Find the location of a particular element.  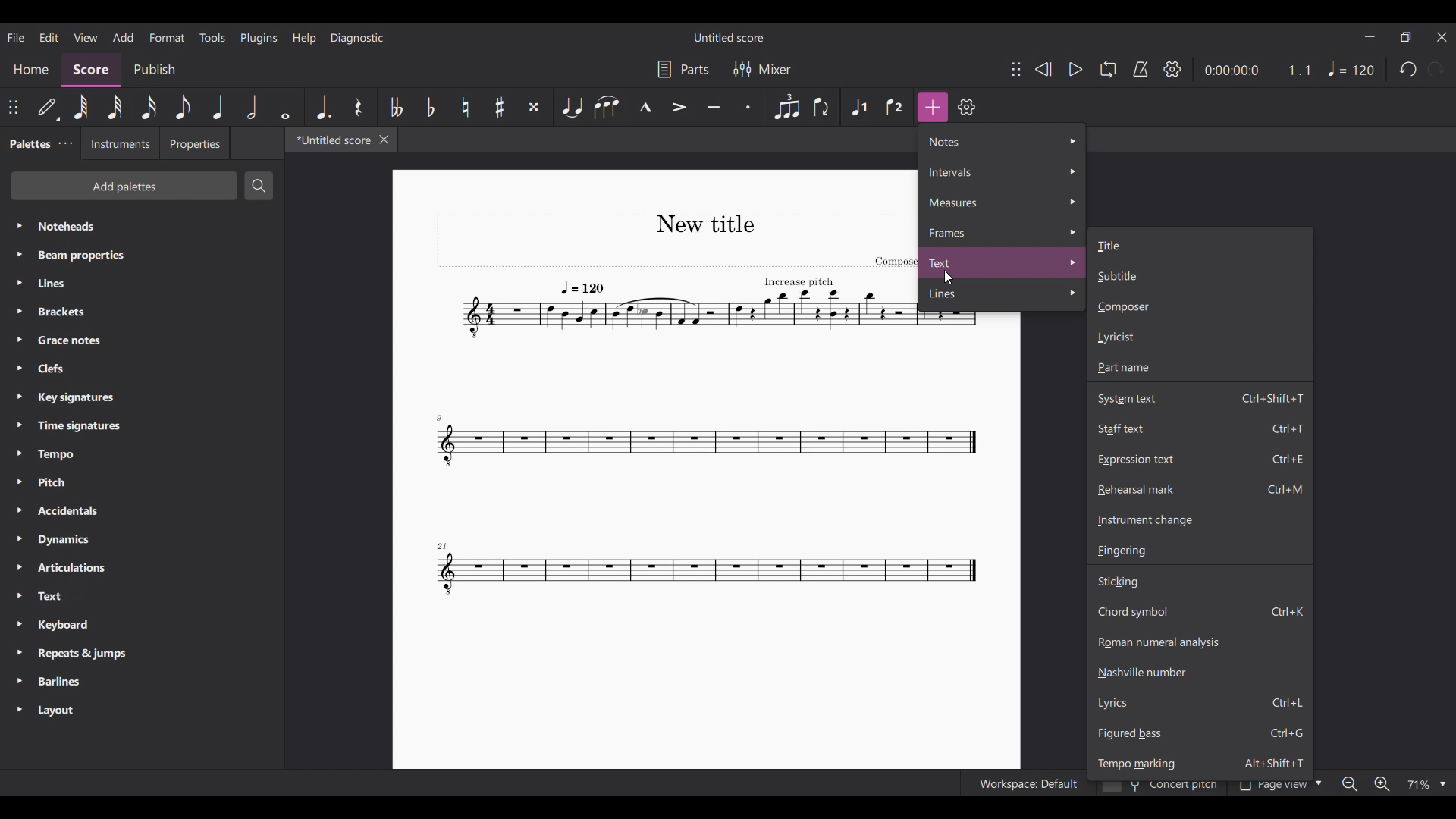

Toggle double sharp is located at coordinates (533, 108).